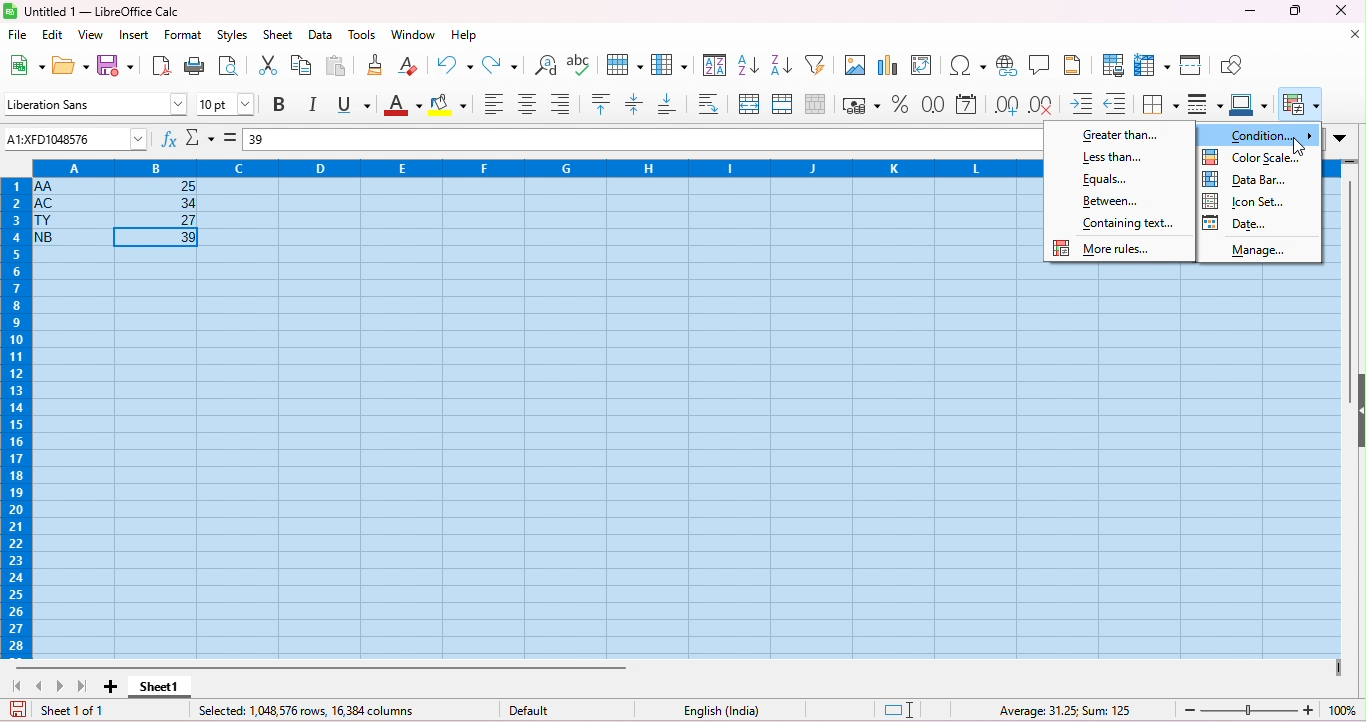 The height and width of the screenshot is (722, 1366). What do you see at coordinates (900, 103) in the screenshot?
I see `format as percent` at bounding box center [900, 103].